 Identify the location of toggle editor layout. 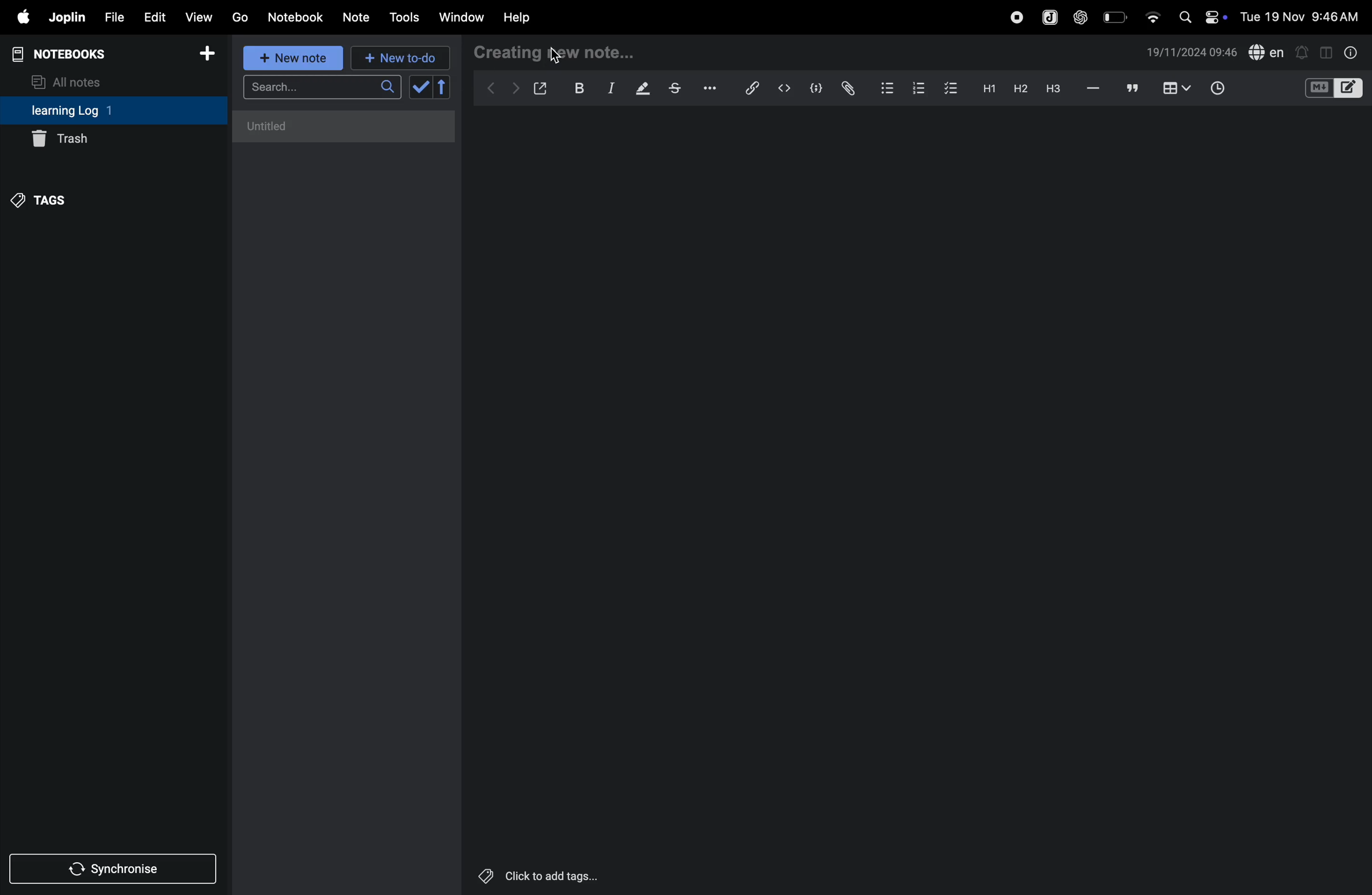
(1327, 51).